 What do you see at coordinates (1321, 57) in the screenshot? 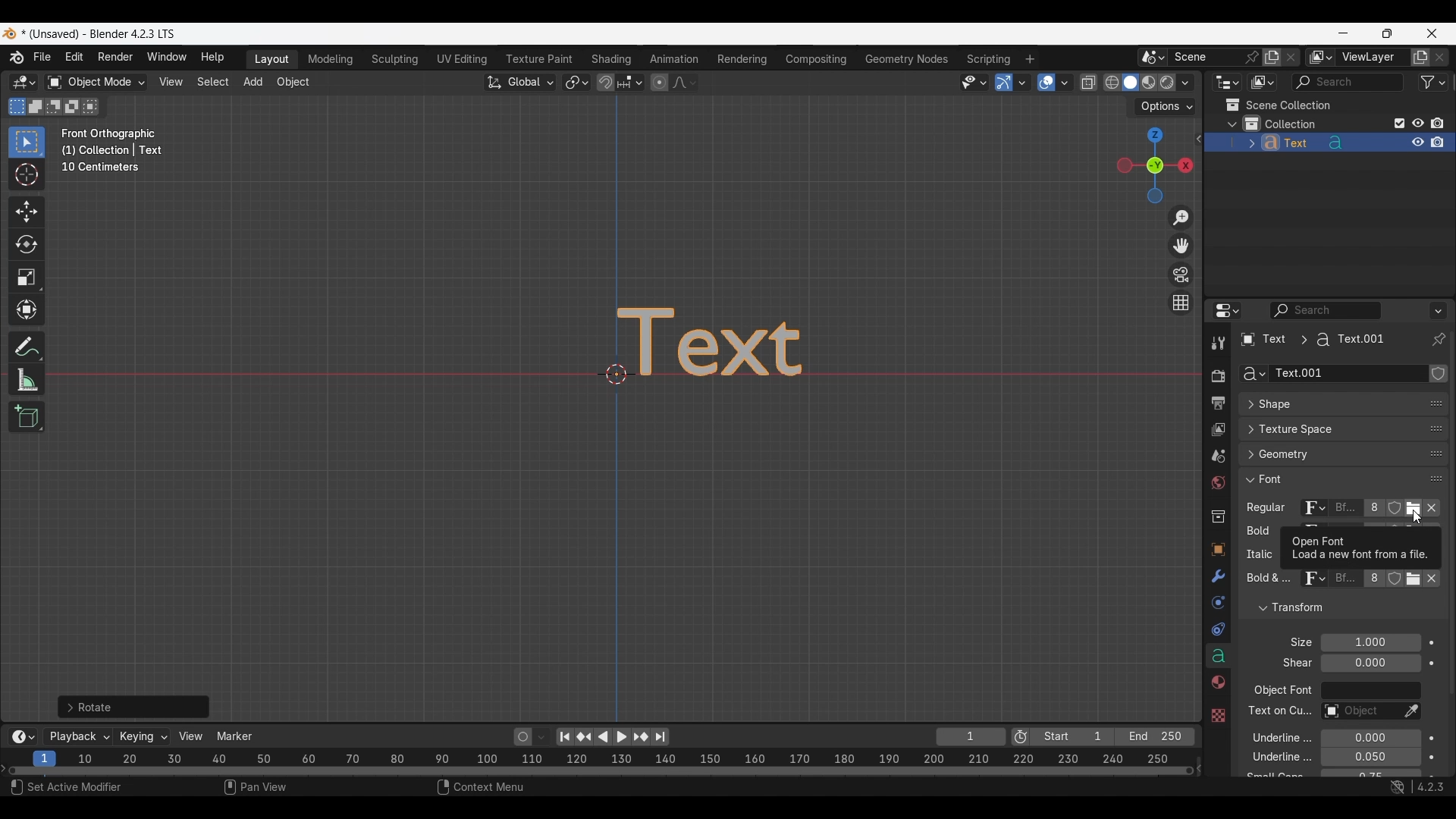
I see `The active workspace view layer showing in the window` at bounding box center [1321, 57].